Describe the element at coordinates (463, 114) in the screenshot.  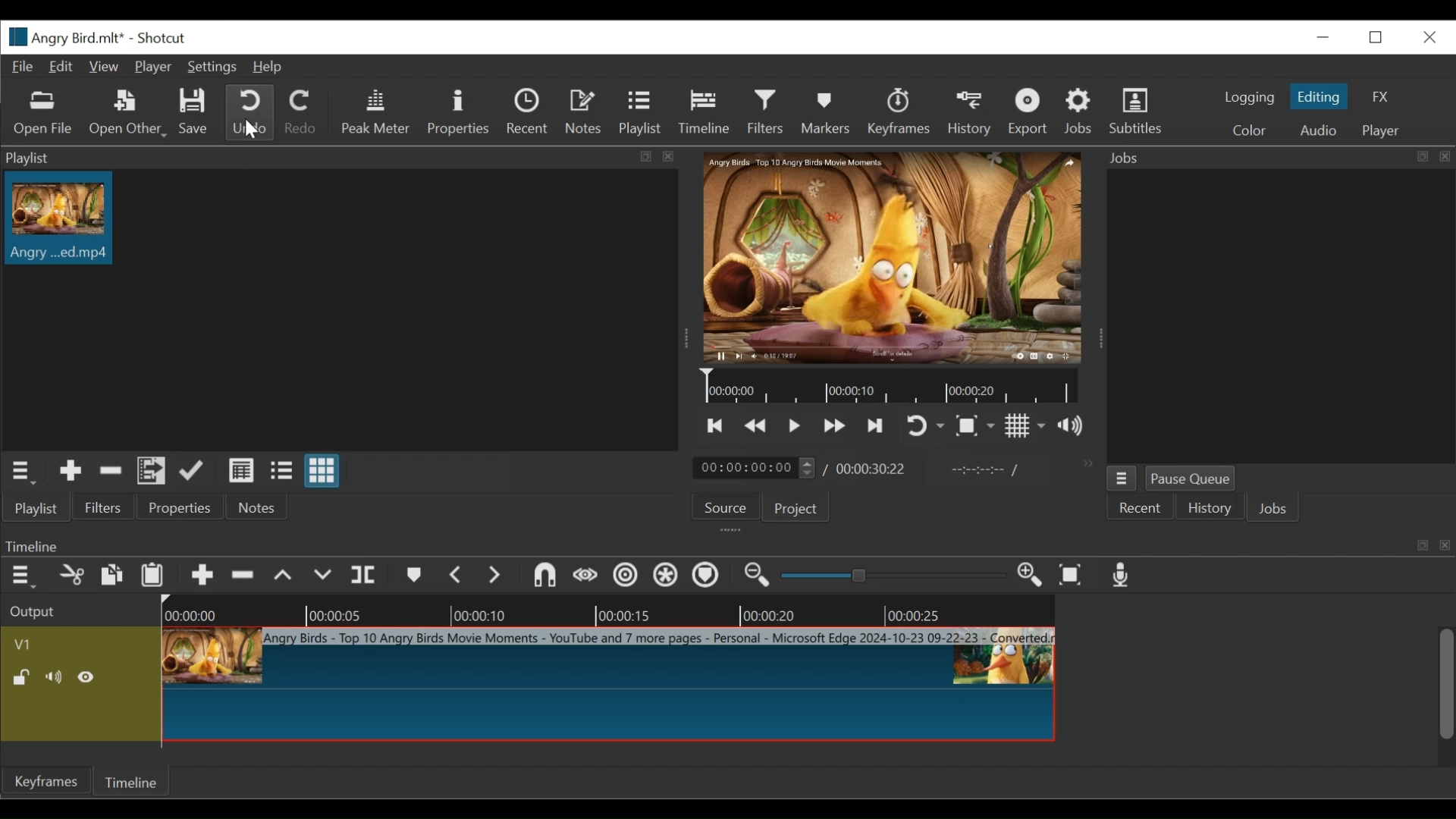
I see `Properties` at that location.